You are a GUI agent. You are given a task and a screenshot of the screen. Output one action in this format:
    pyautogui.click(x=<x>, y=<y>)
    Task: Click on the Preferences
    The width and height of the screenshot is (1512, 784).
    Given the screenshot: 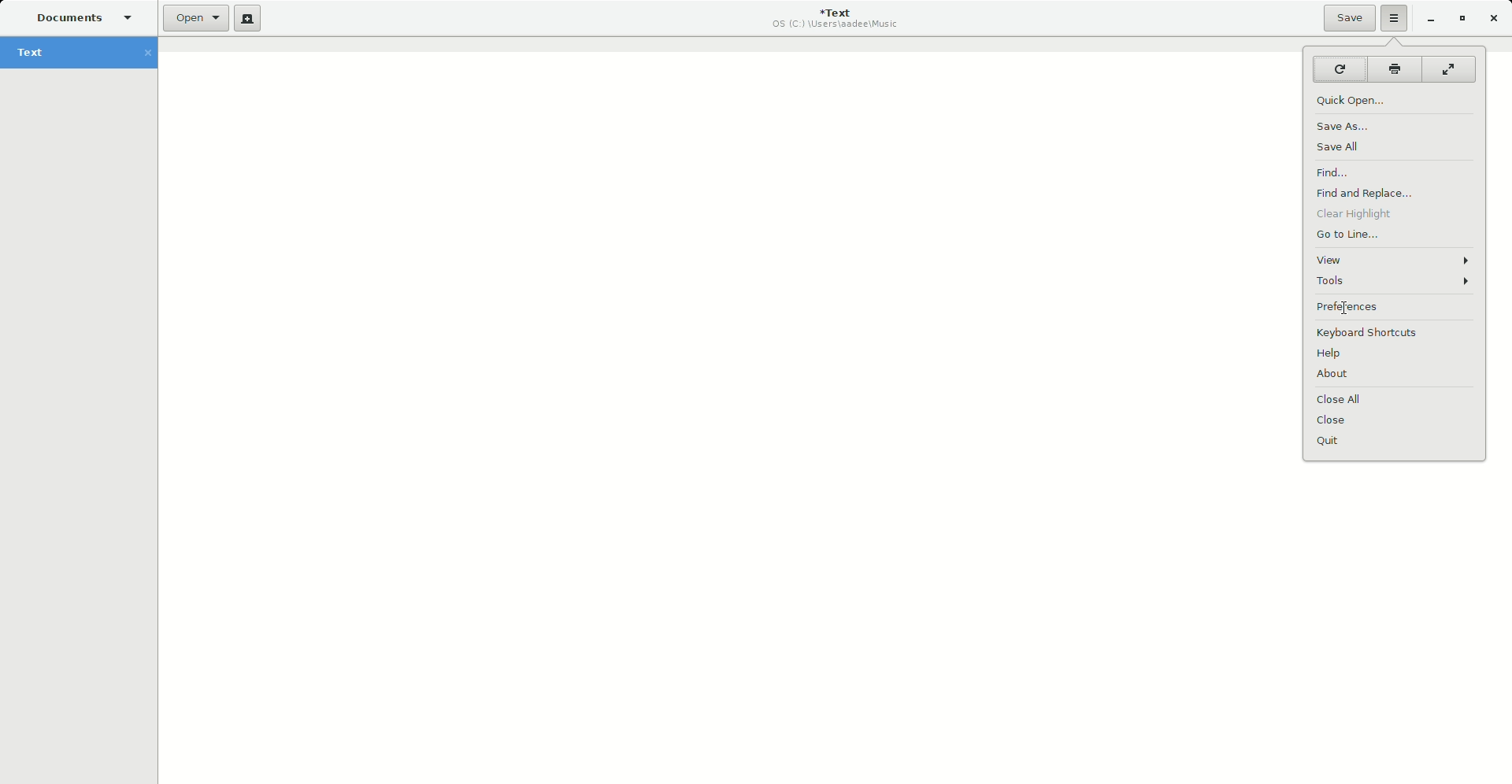 What is the action you would take?
    pyautogui.click(x=1355, y=309)
    